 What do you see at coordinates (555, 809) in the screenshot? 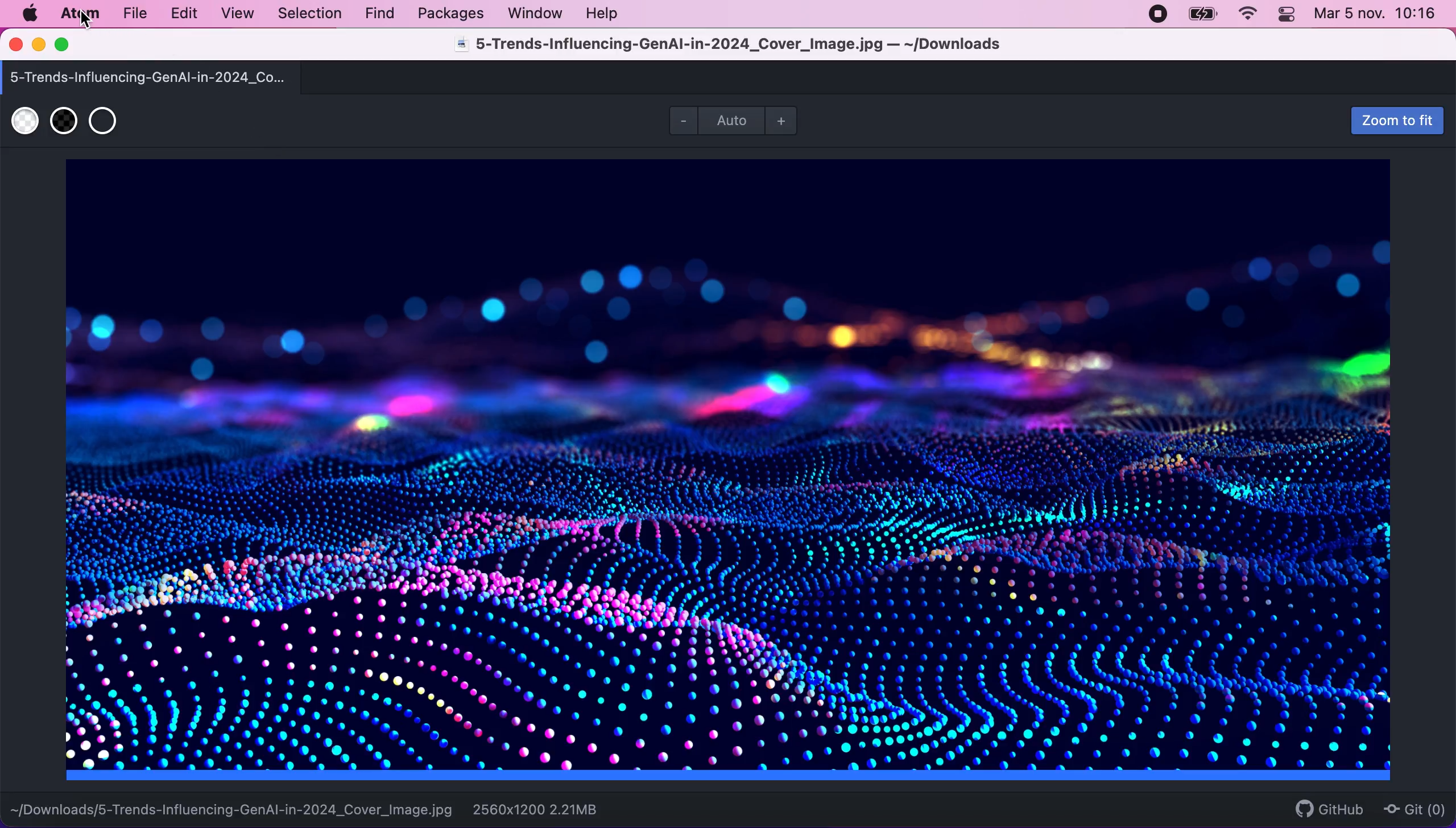
I see `pixels and mb` at bounding box center [555, 809].